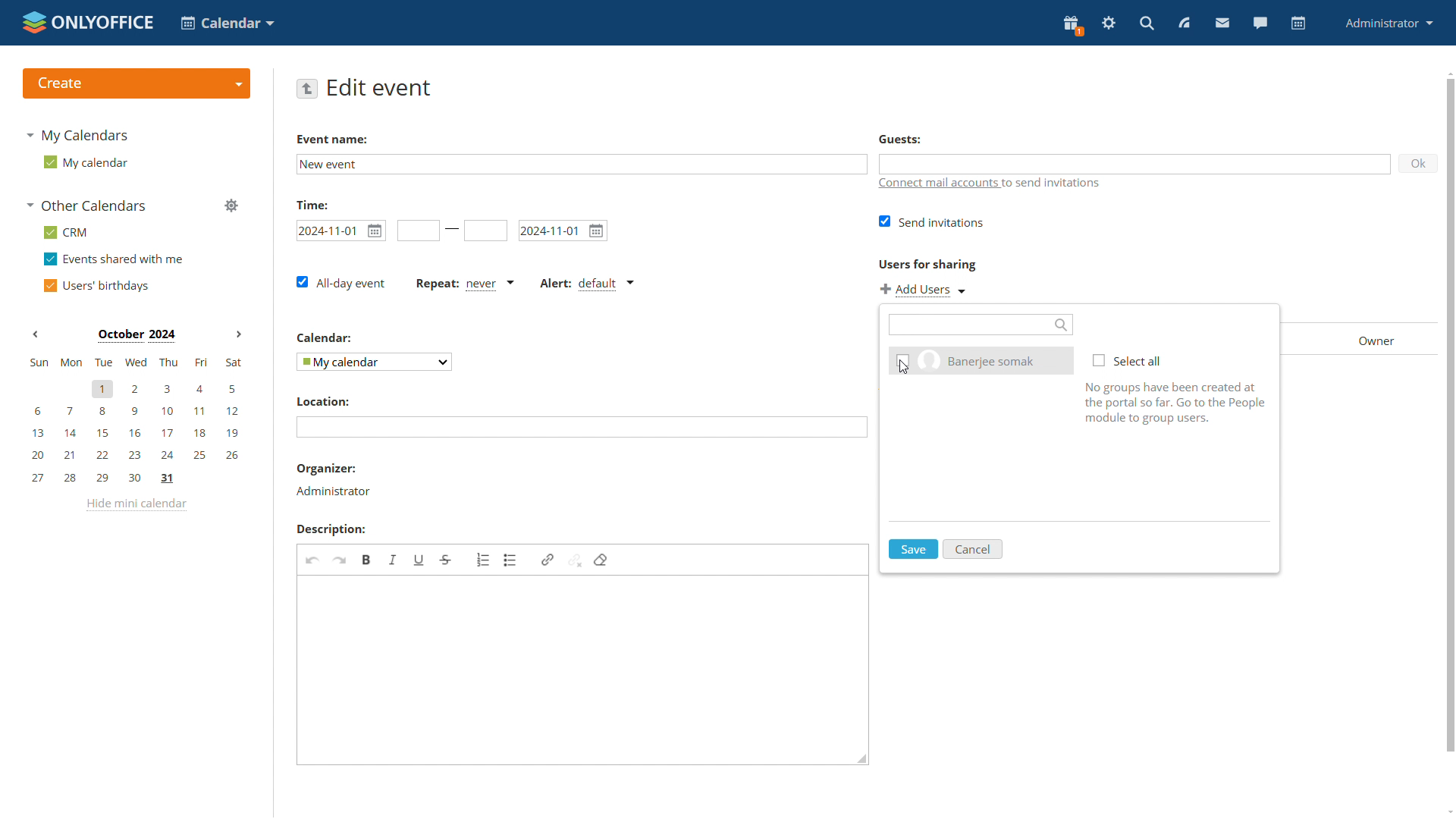  Describe the element at coordinates (924, 289) in the screenshot. I see `add users` at that location.